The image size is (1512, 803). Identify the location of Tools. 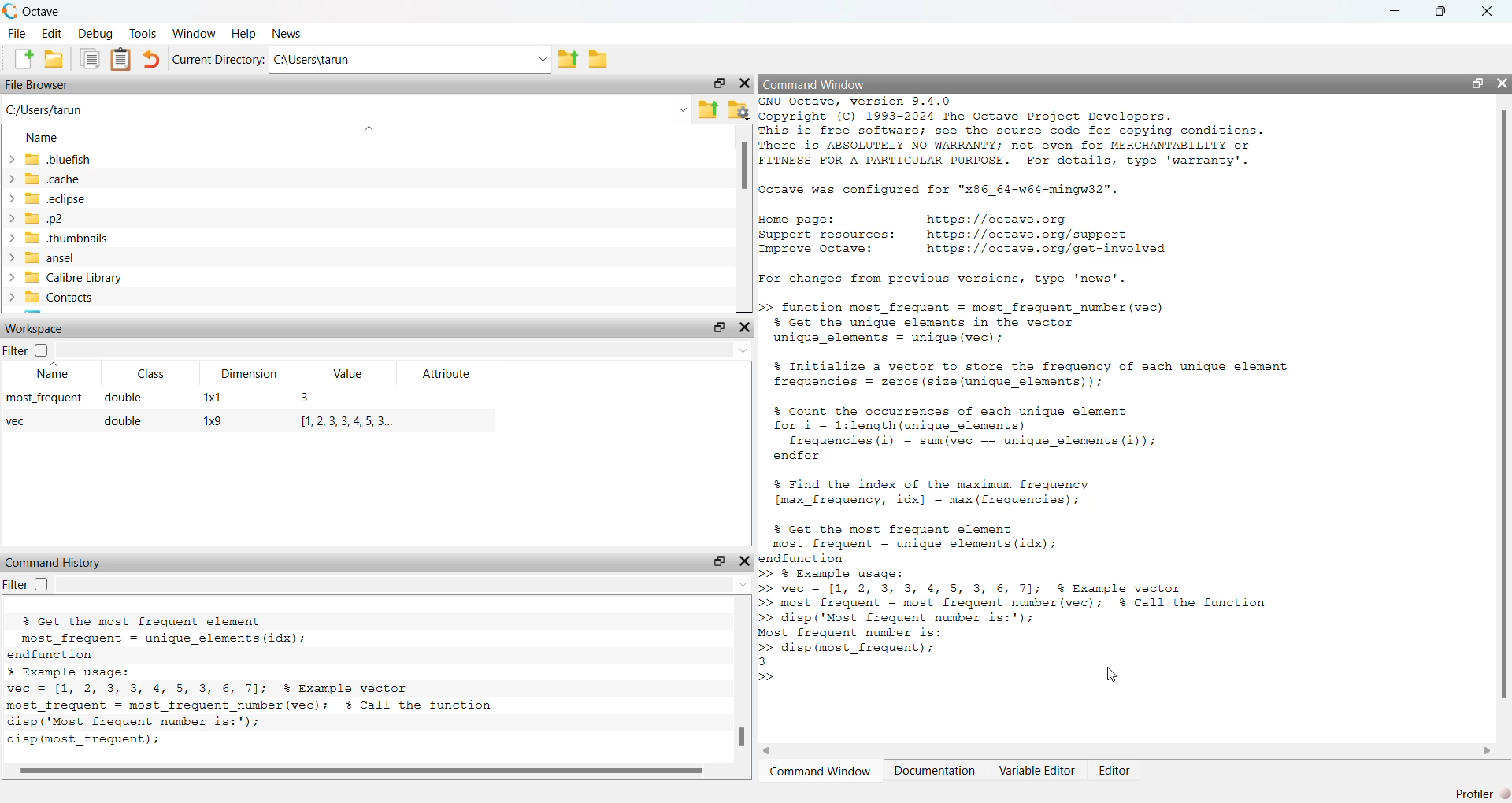
(143, 32).